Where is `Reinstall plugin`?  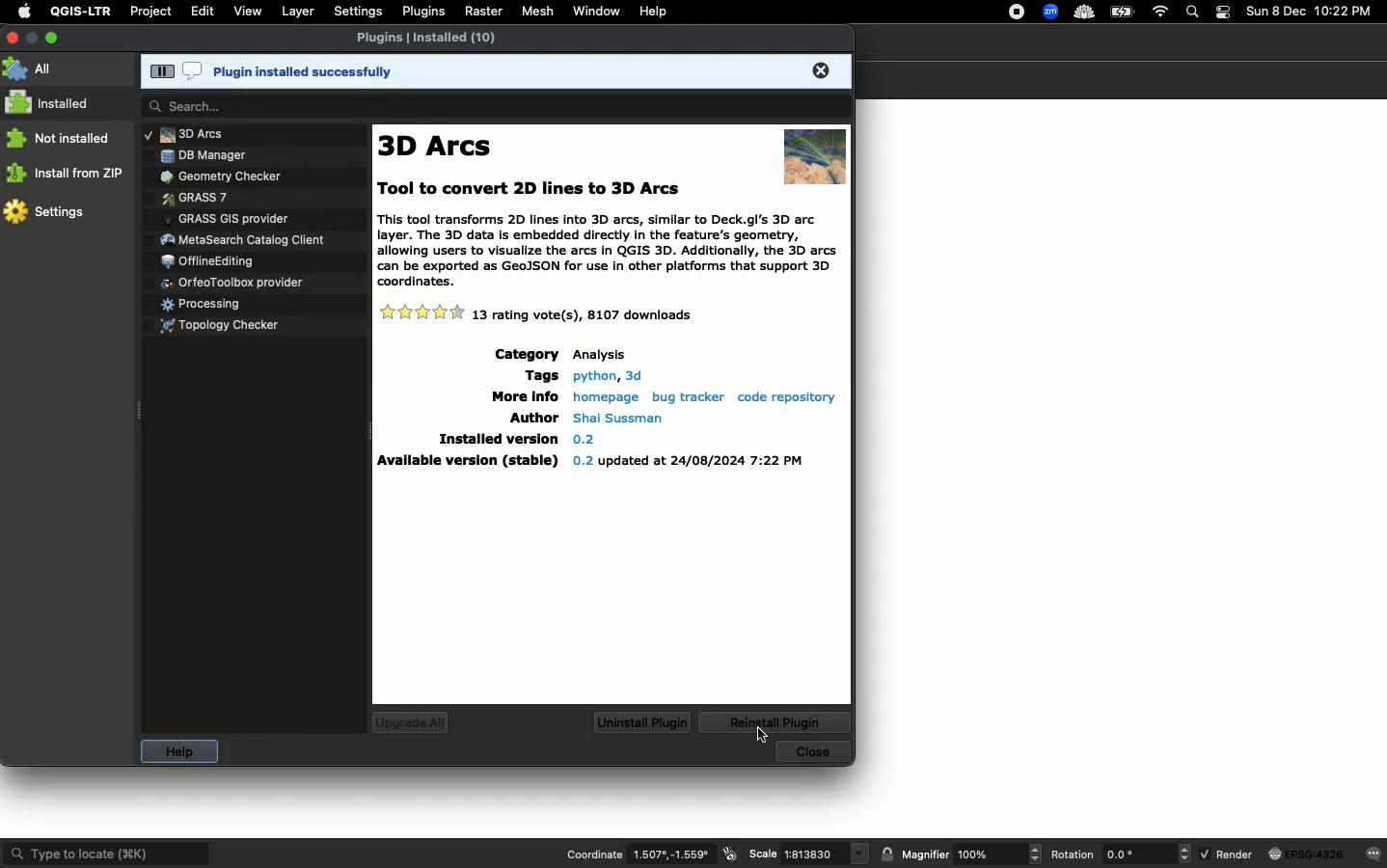 Reinstall plugin is located at coordinates (776, 723).